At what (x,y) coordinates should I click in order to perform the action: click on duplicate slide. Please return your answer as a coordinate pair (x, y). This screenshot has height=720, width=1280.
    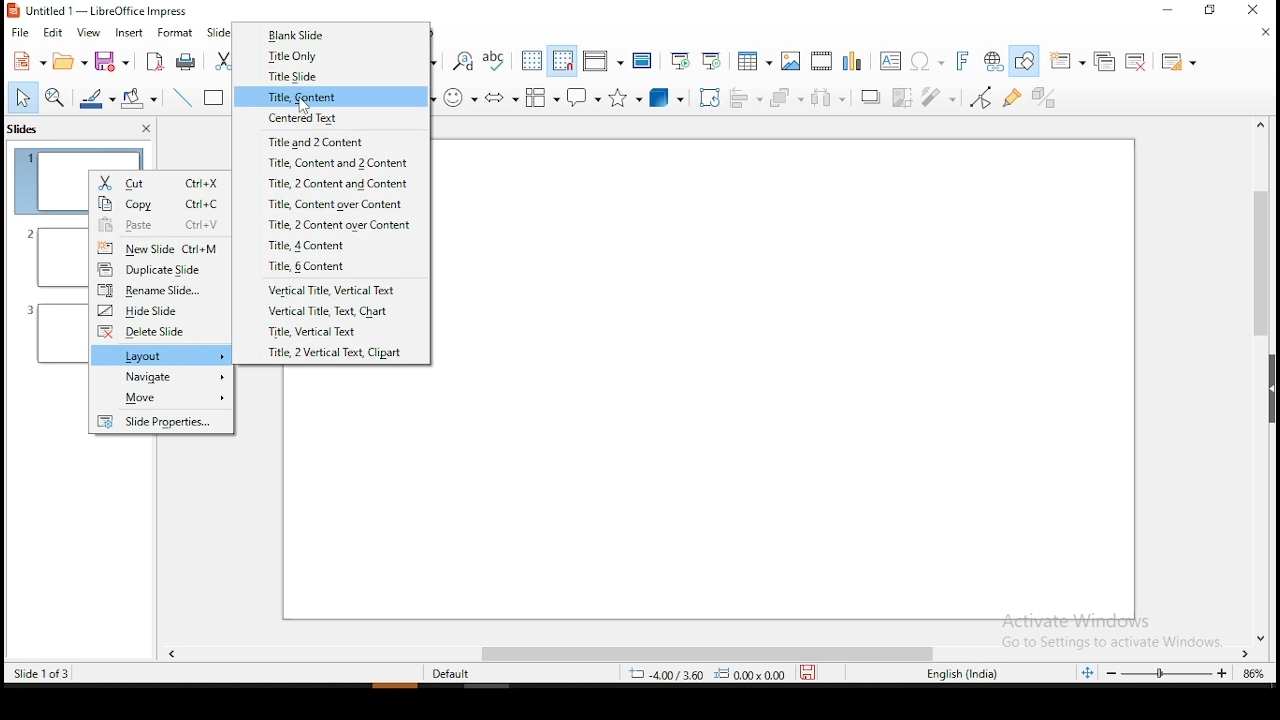
    Looking at the image, I should click on (163, 269).